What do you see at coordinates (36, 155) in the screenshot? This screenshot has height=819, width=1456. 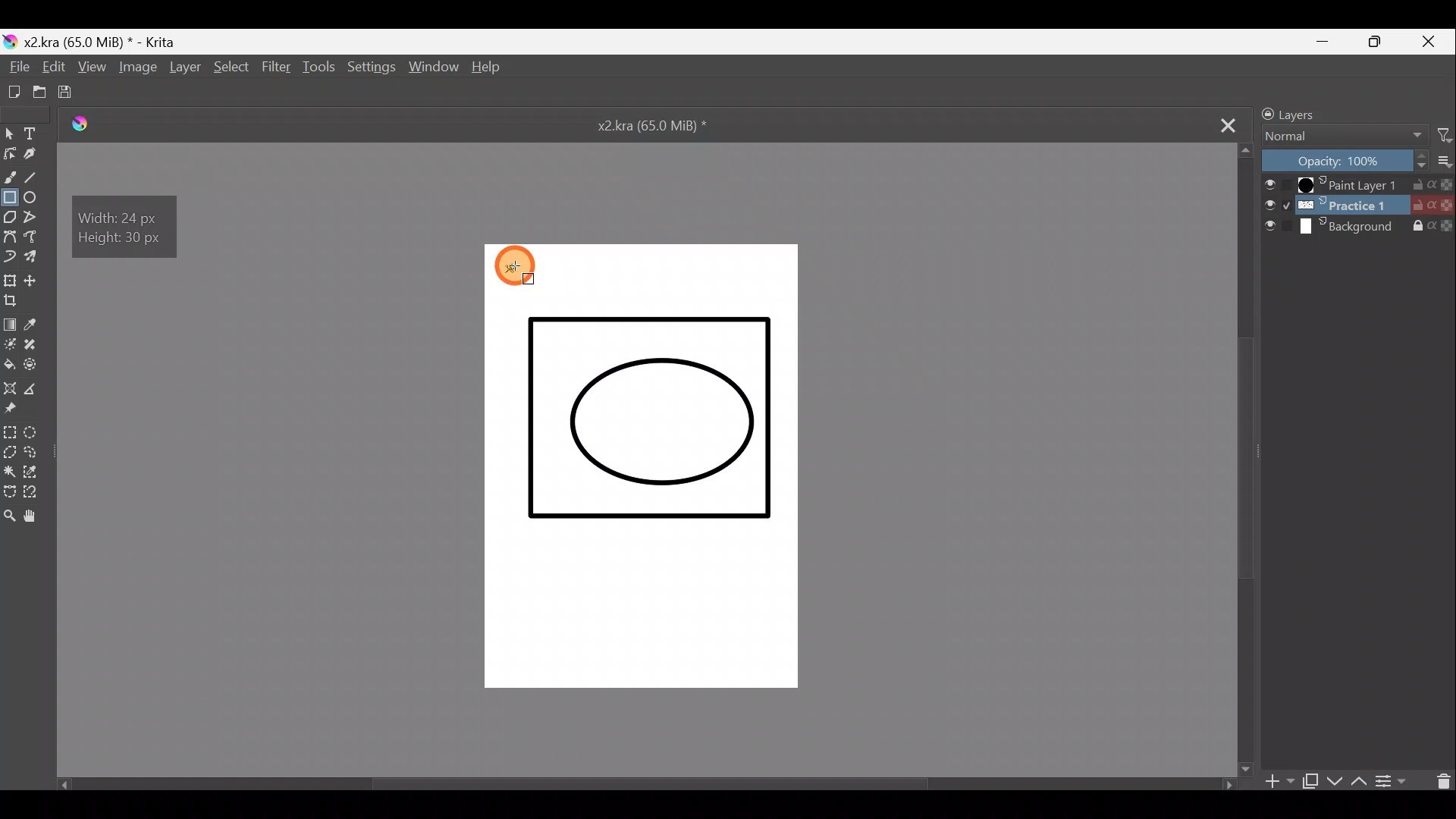 I see `Calligraphy` at bounding box center [36, 155].